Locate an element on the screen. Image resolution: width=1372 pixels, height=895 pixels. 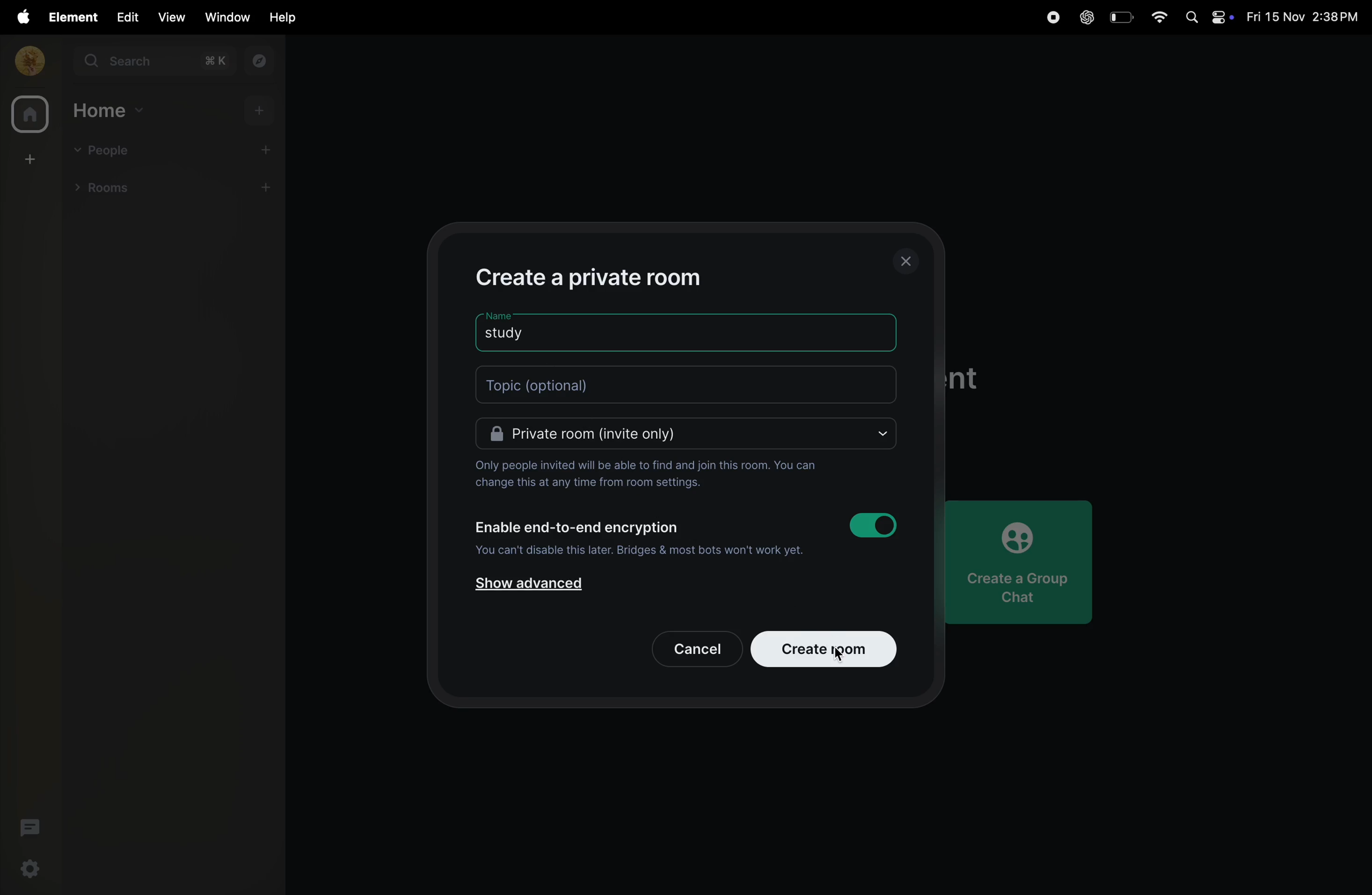
chatgpt is located at coordinates (1086, 18).